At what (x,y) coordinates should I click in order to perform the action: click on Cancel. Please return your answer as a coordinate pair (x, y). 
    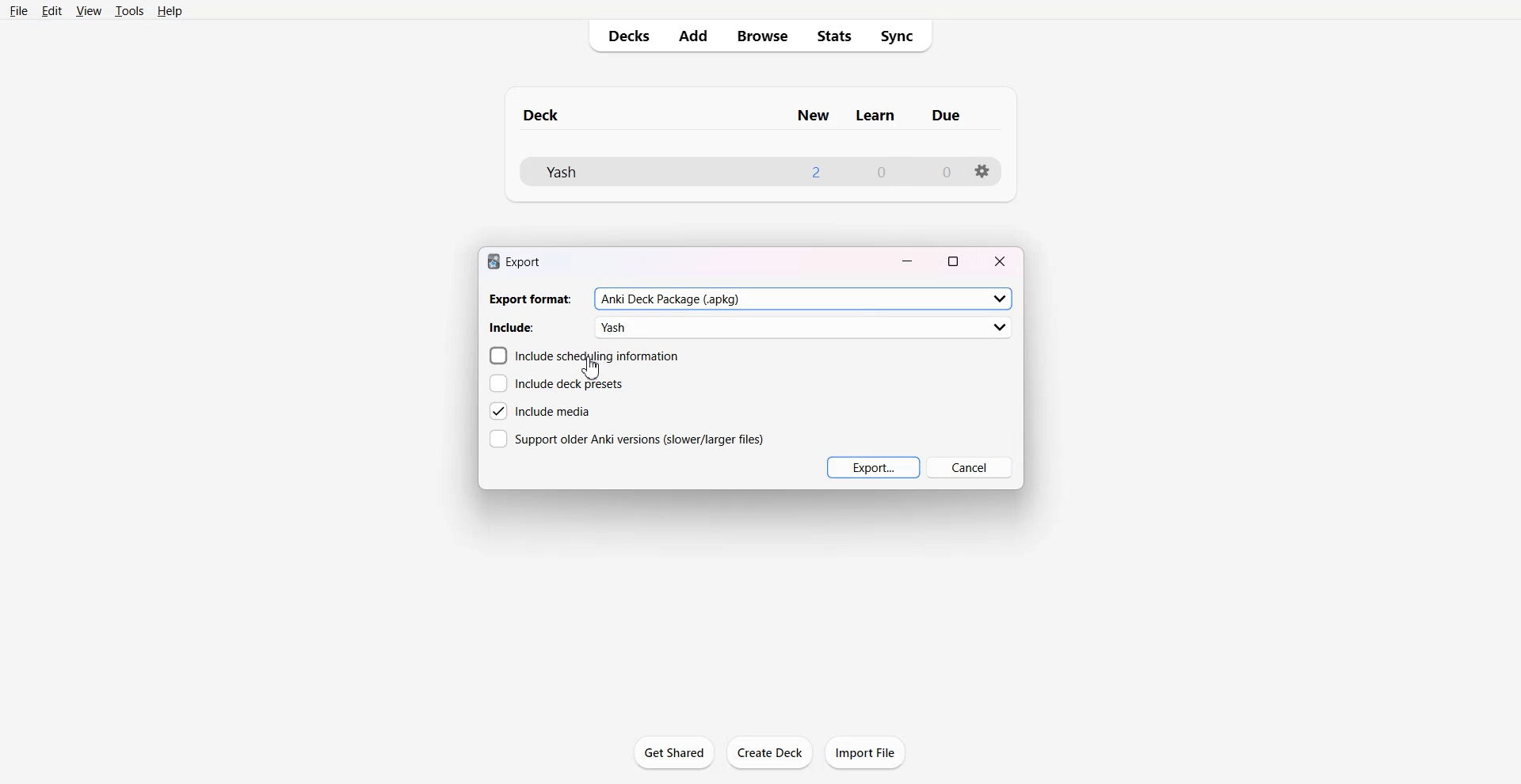
    Looking at the image, I should click on (969, 467).